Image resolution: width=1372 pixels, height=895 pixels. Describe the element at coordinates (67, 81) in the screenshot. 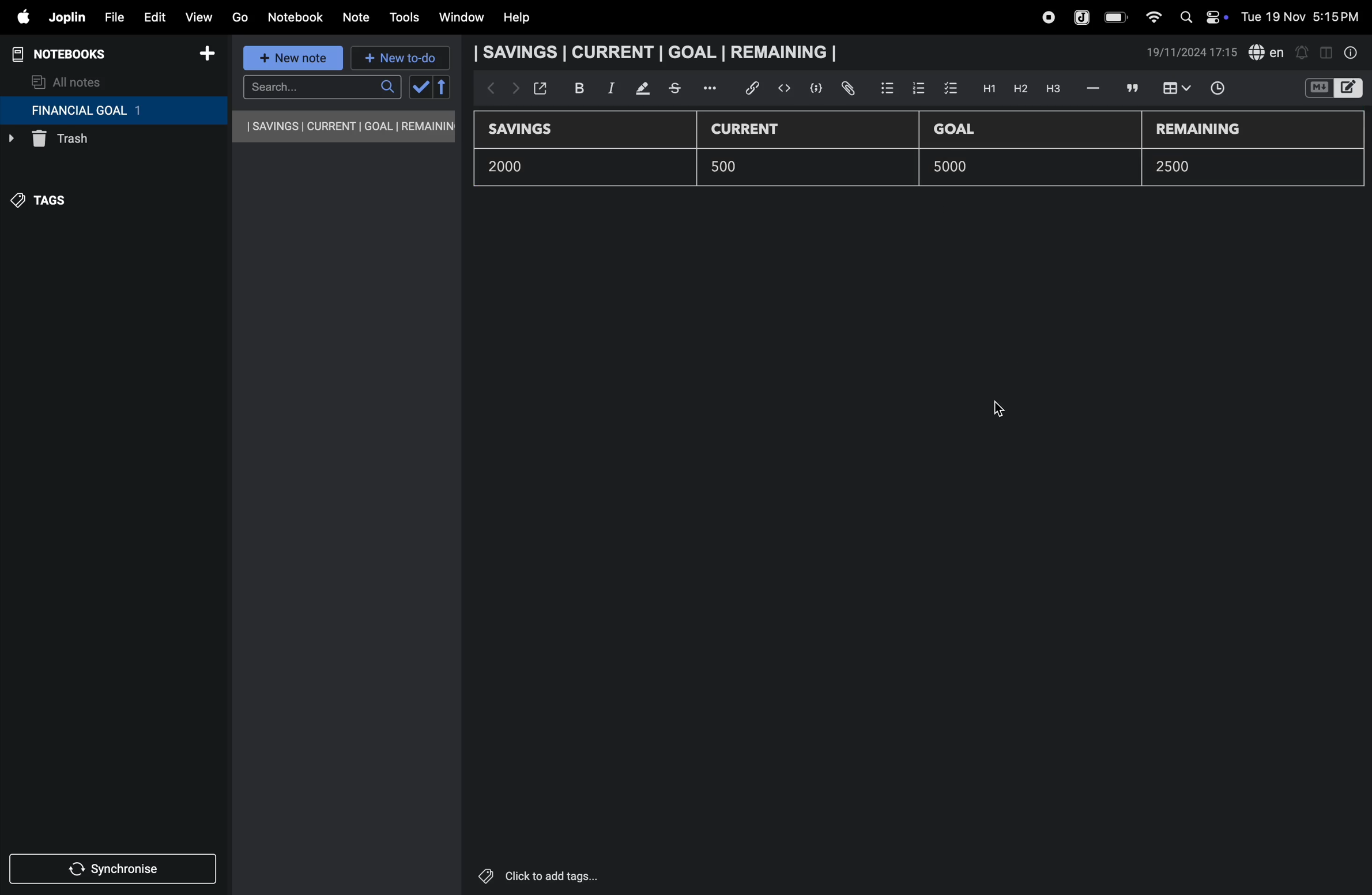

I see `all notes` at that location.